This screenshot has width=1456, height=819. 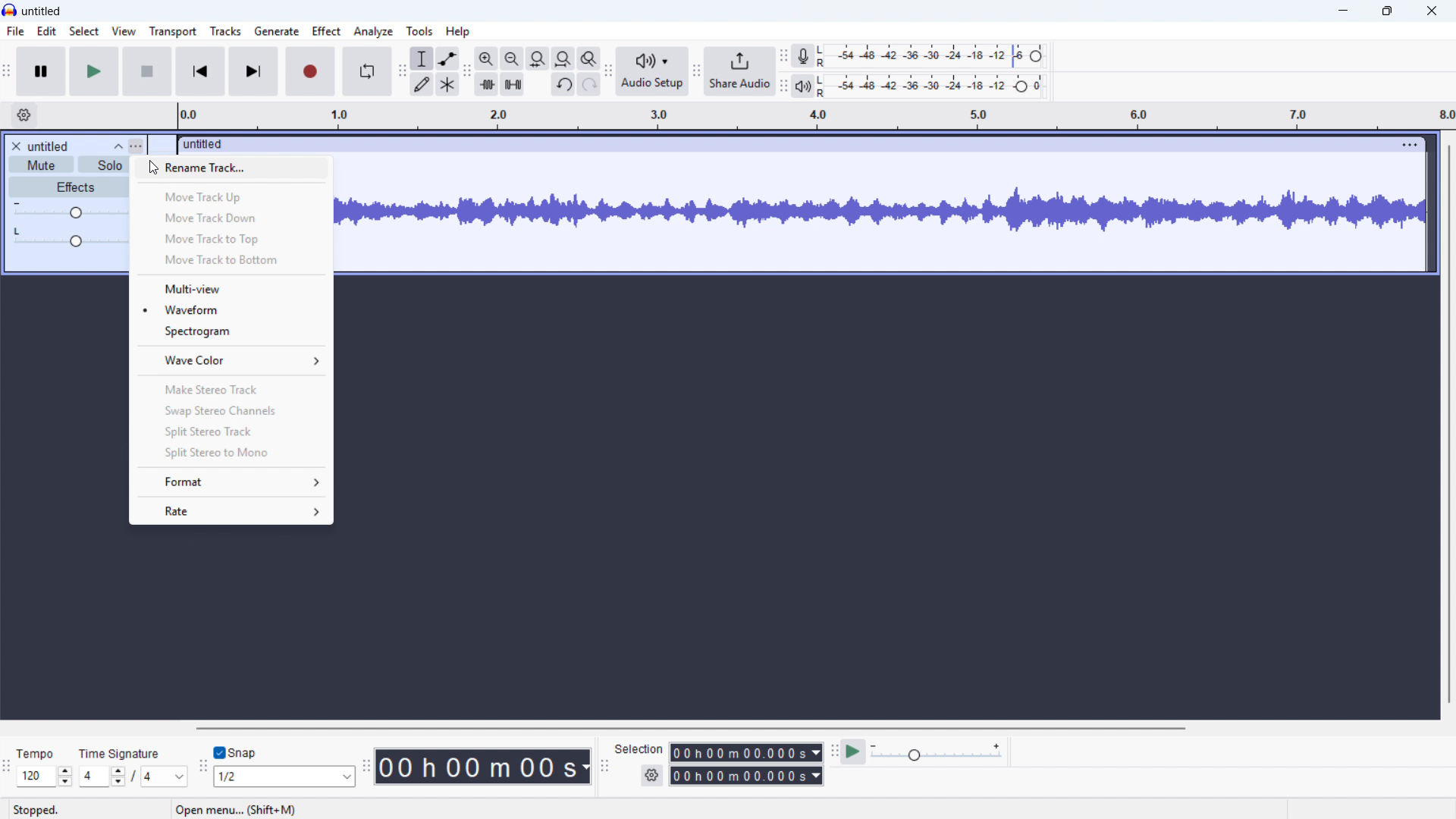 I want to click on Set snapping , so click(x=284, y=776).